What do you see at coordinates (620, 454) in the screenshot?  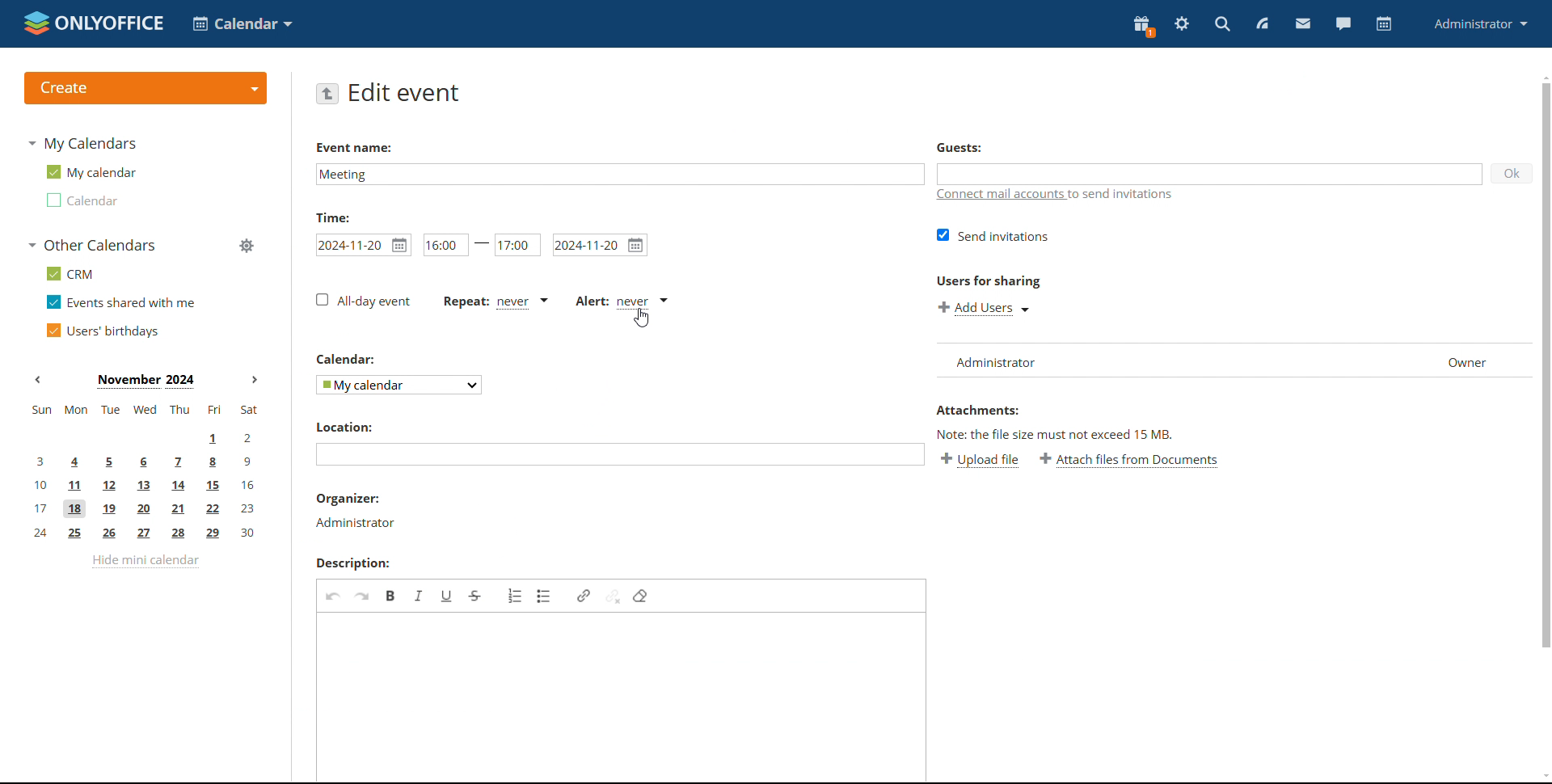 I see `add location` at bounding box center [620, 454].